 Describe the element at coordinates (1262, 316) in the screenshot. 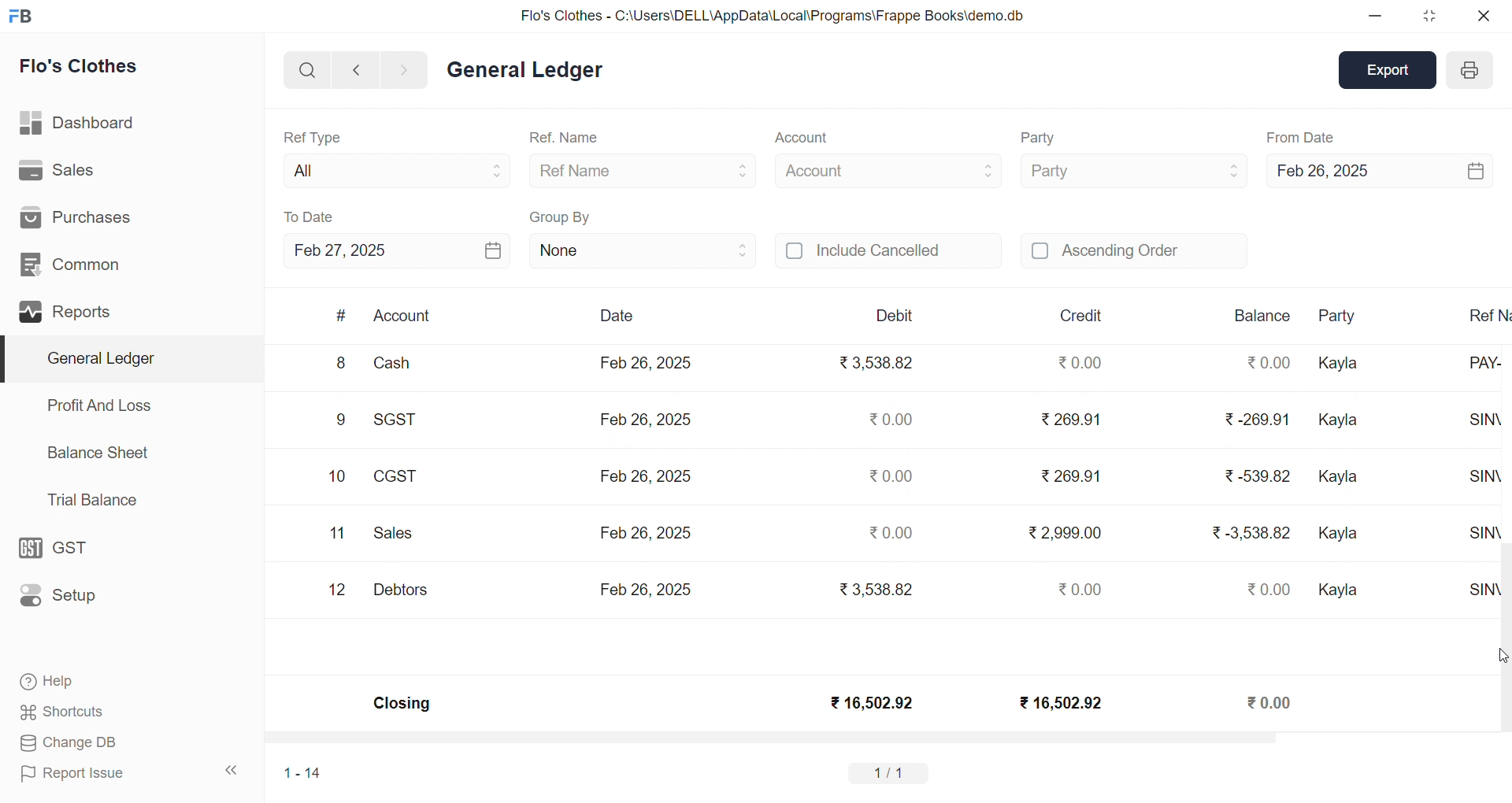

I see `Balance` at that location.